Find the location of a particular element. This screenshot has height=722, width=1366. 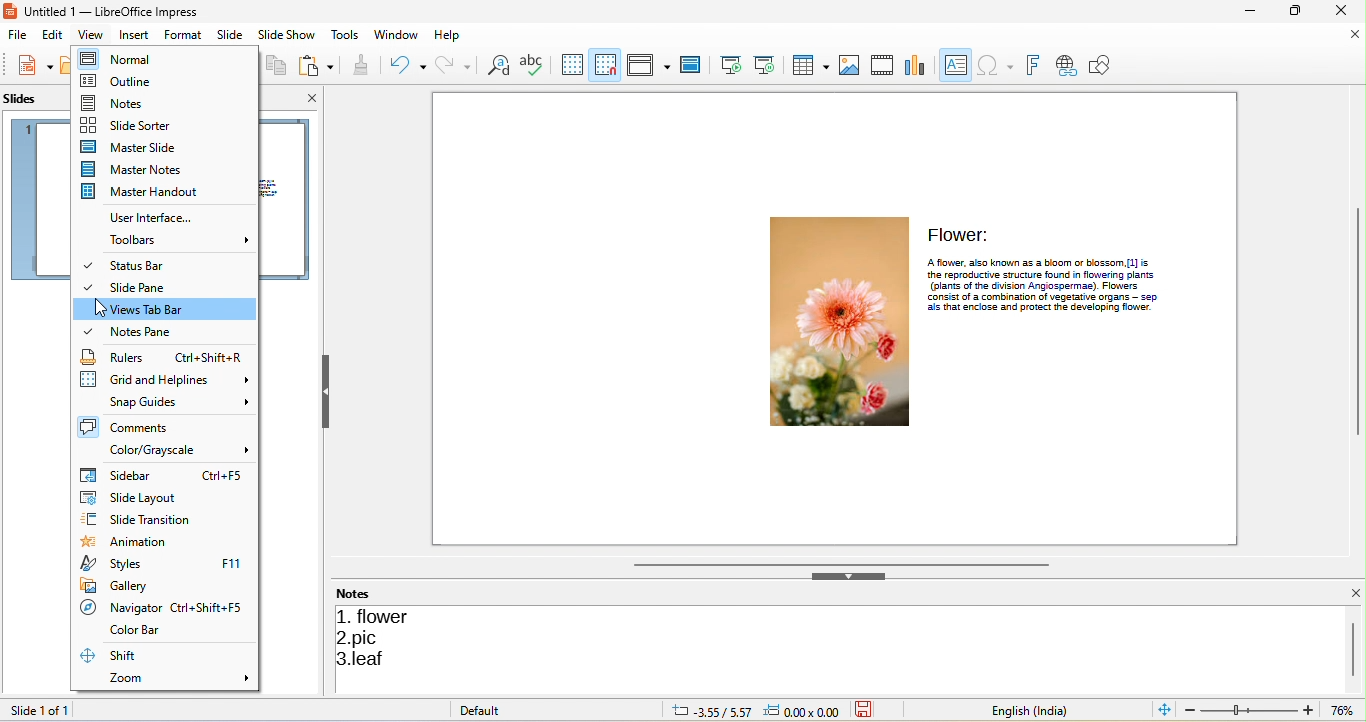

table is located at coordinates (809, 63).